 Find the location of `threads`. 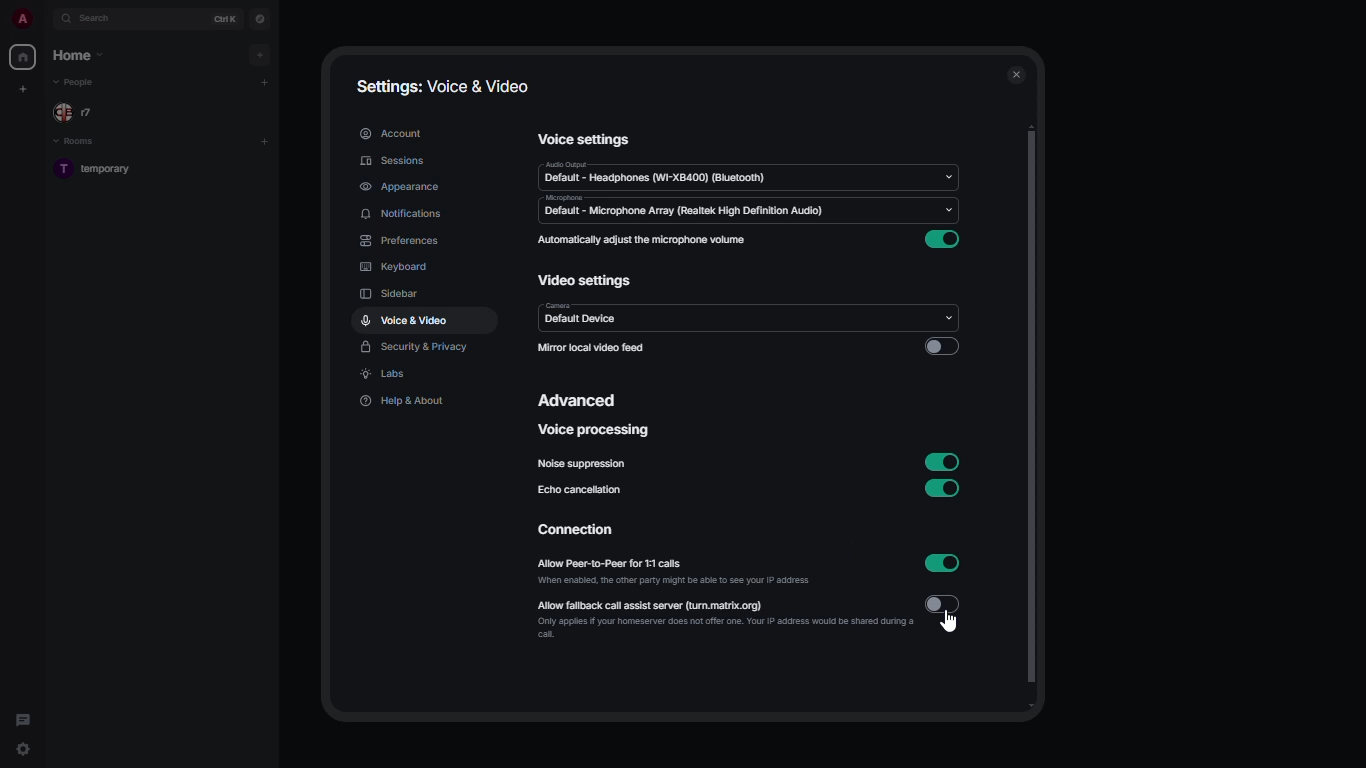

threads is located at coordinates (21, 716).